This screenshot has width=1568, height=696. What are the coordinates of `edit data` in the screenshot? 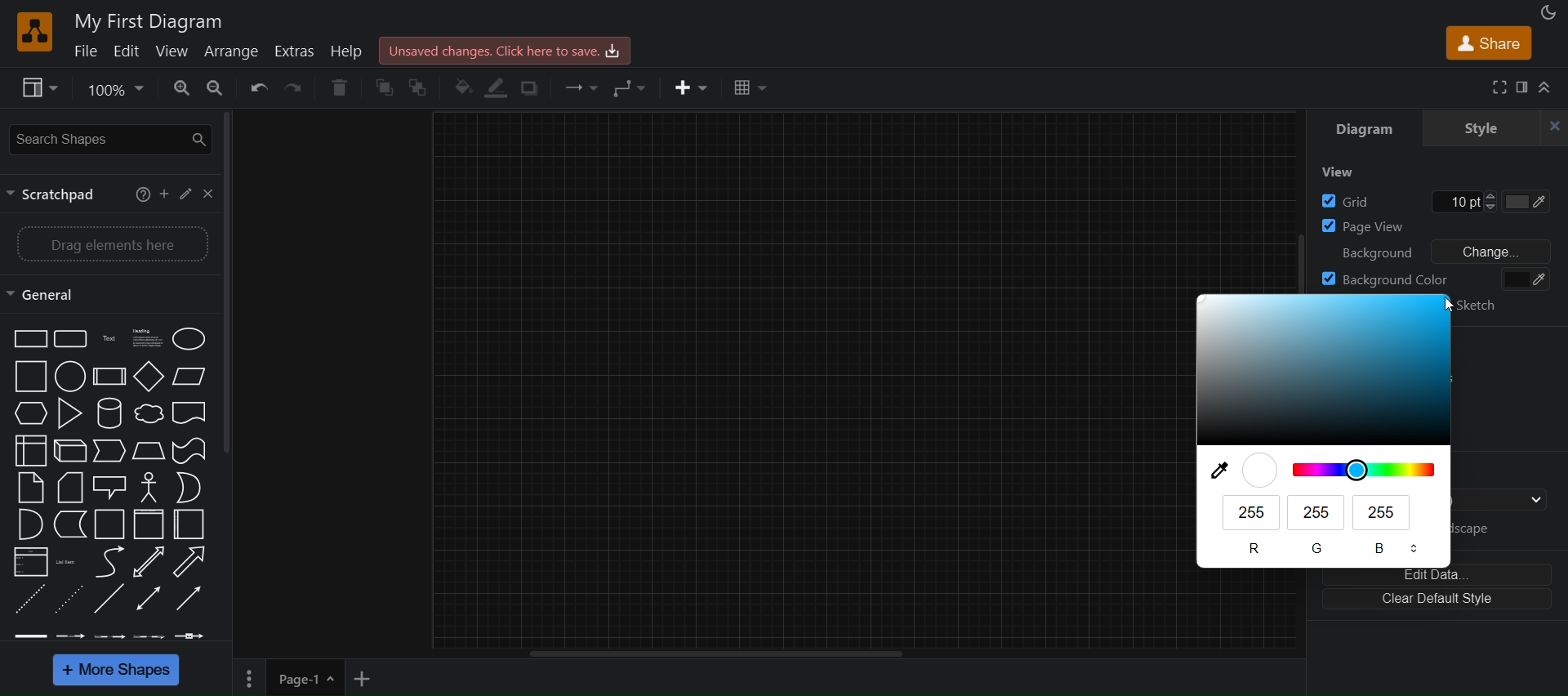 It's located at (1443, 578).